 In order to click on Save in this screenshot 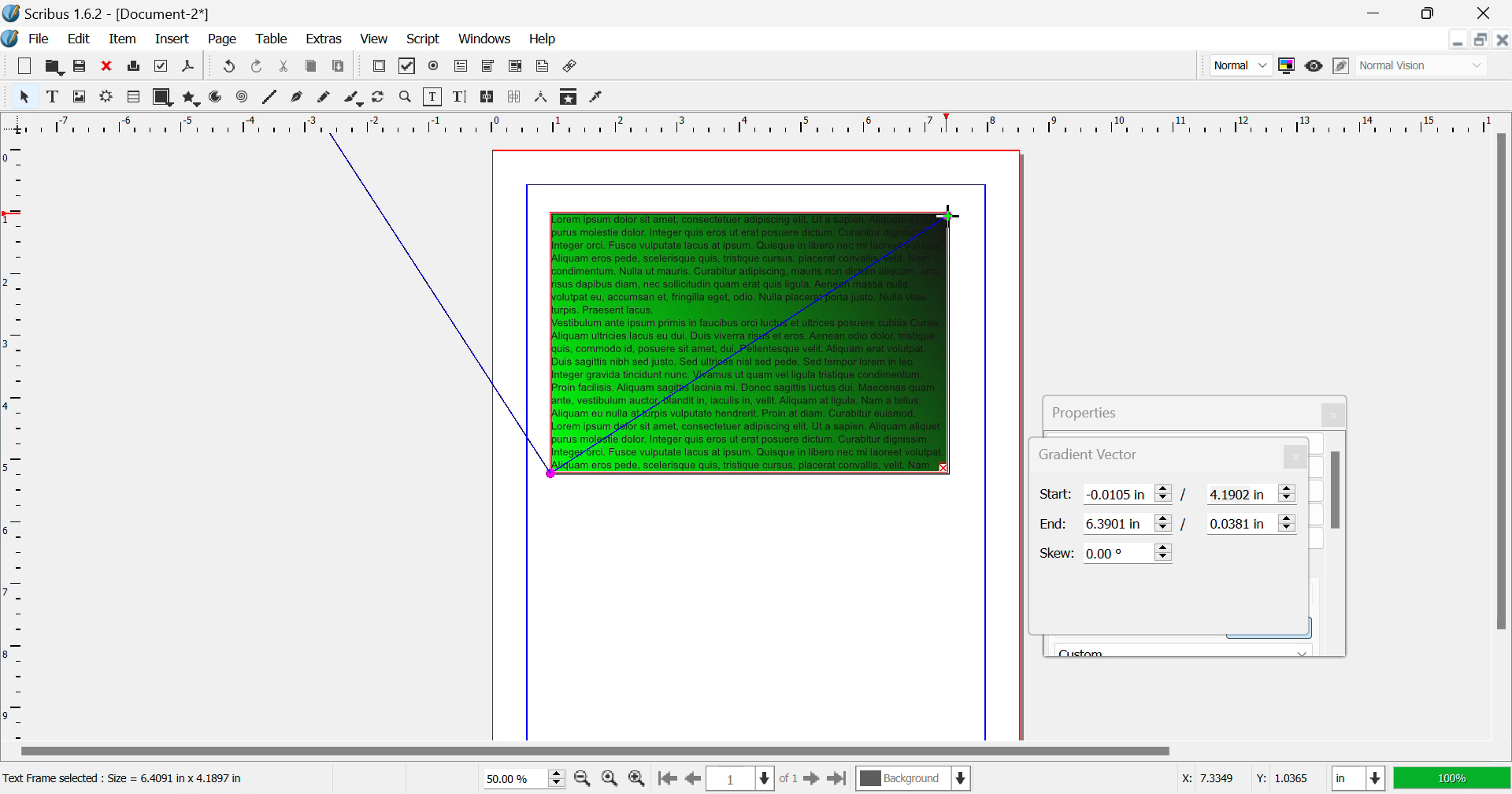, I will do `click(80, 66)`.